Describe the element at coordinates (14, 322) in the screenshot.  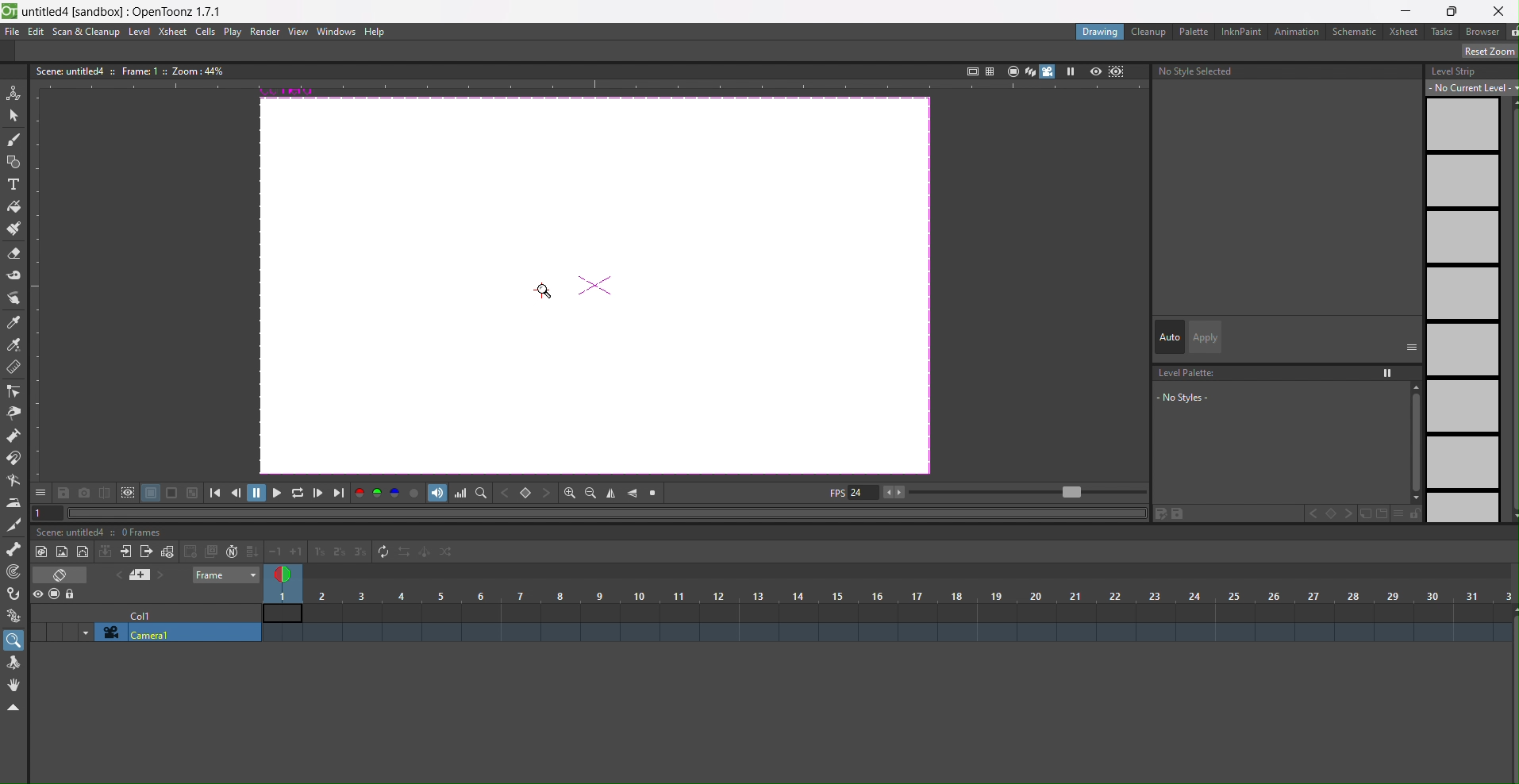
I see `` at that location.